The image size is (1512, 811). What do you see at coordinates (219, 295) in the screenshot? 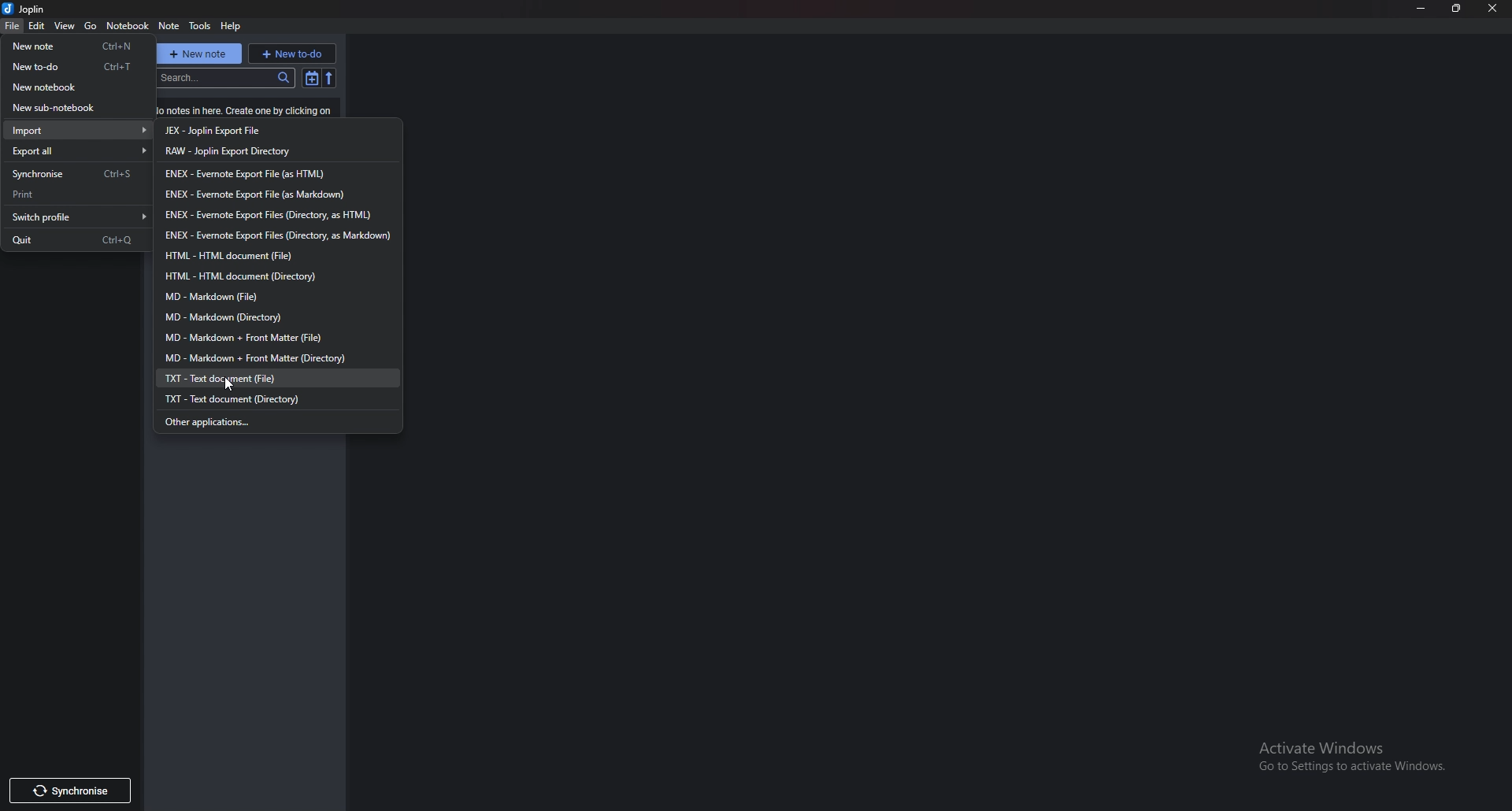
I see `markdown file` at bounding box center [219, 295].